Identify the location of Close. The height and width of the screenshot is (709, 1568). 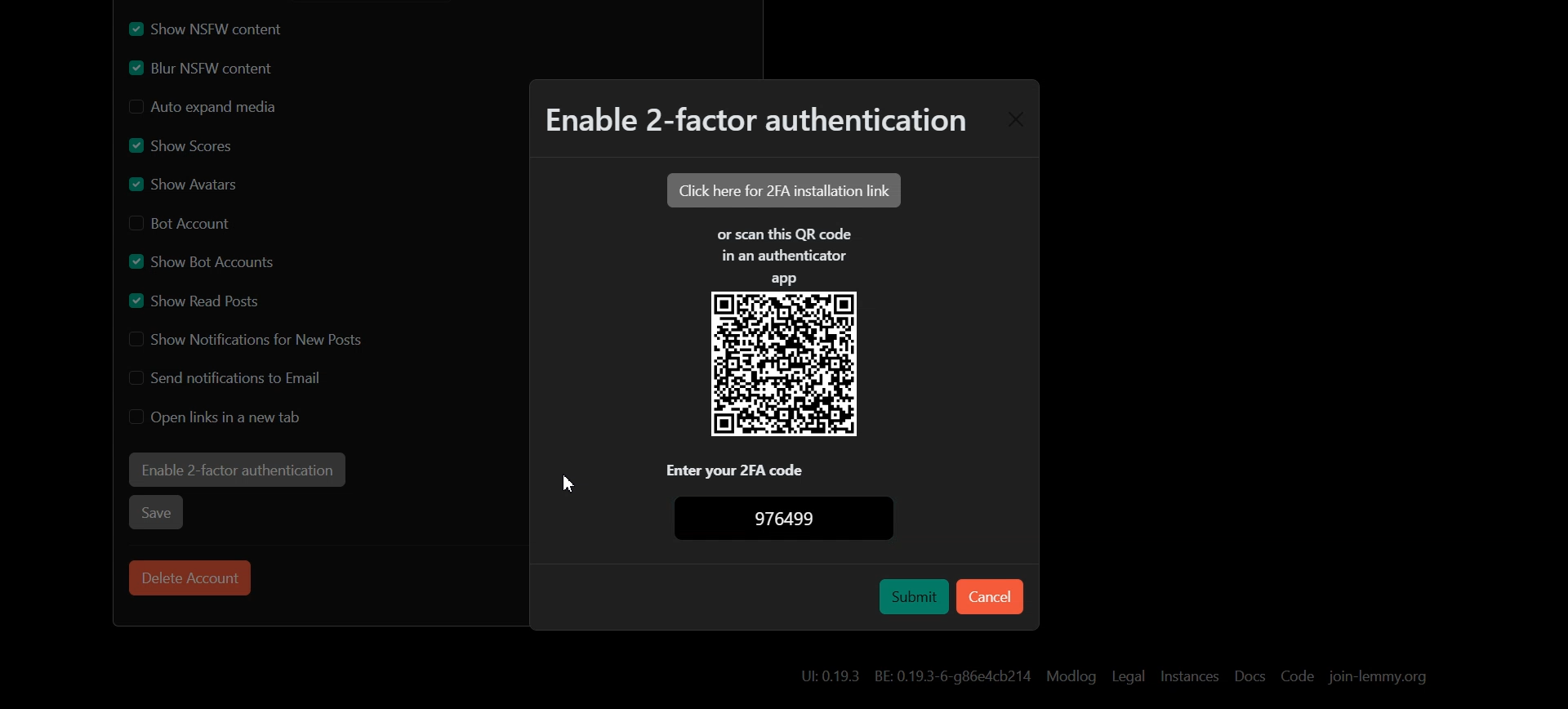
(1014, 120).